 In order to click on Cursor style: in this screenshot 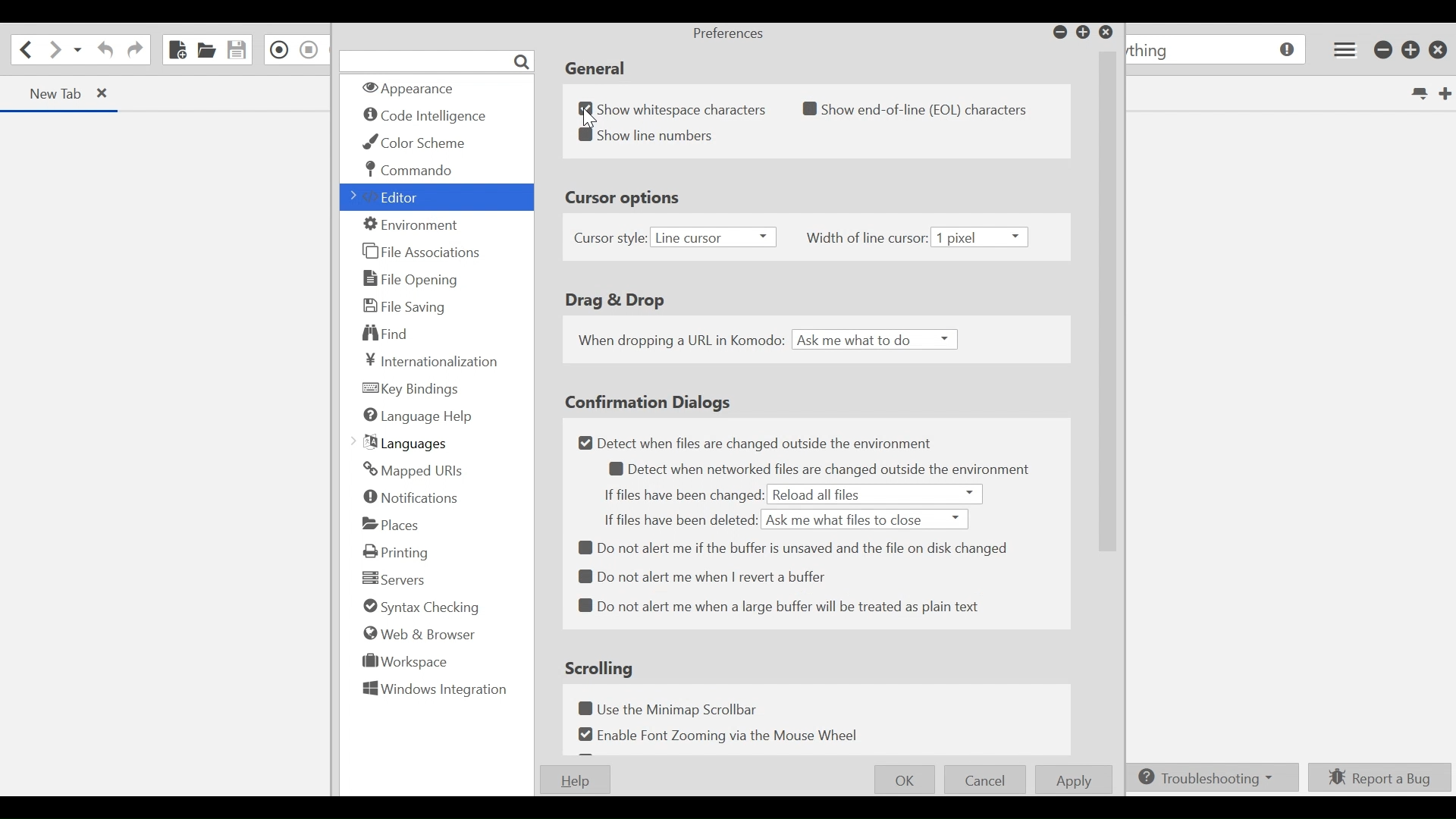, I will do `click(610, 238)`.